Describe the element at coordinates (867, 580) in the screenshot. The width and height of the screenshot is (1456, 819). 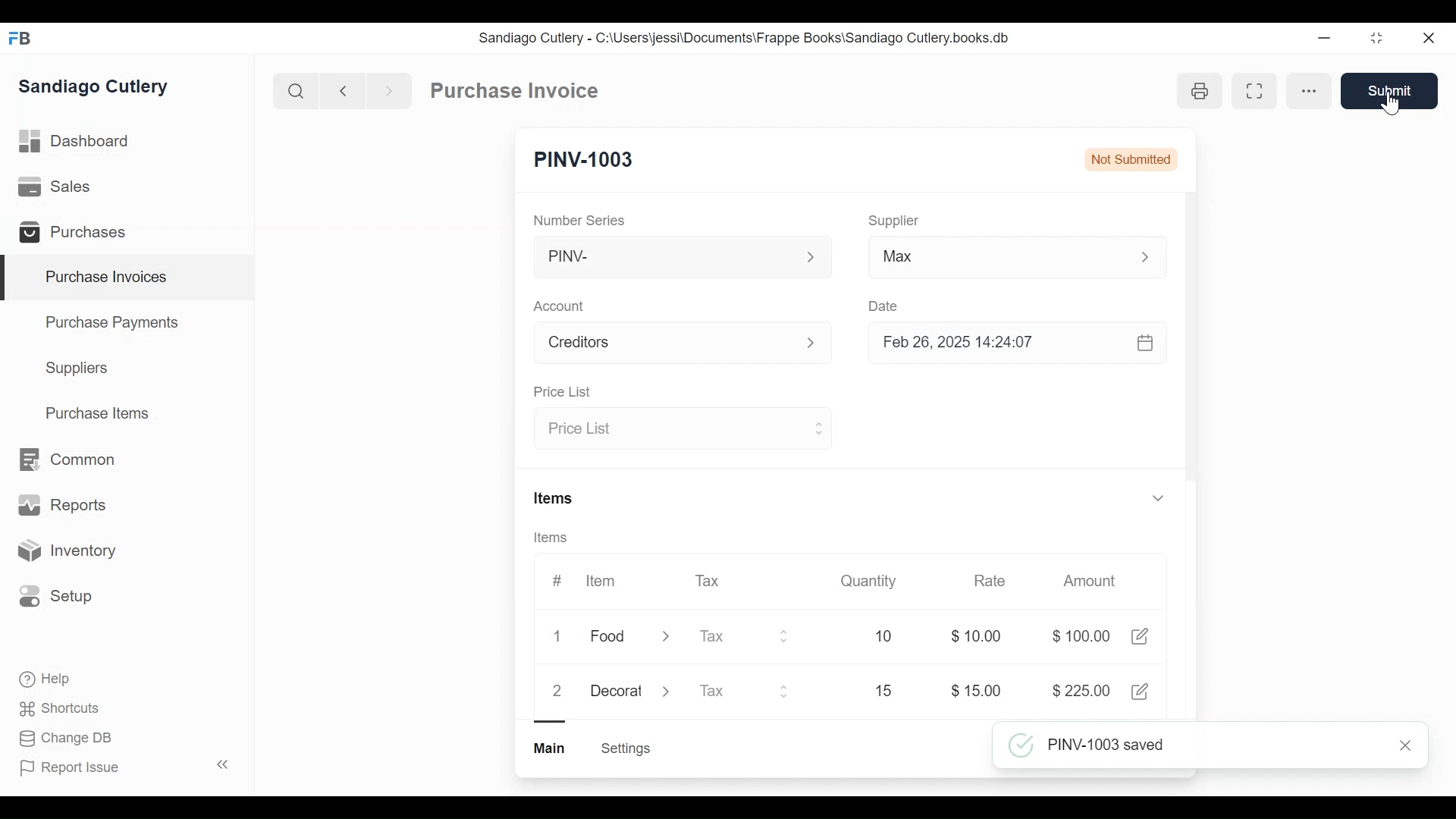
I see `Quantity` at that location.